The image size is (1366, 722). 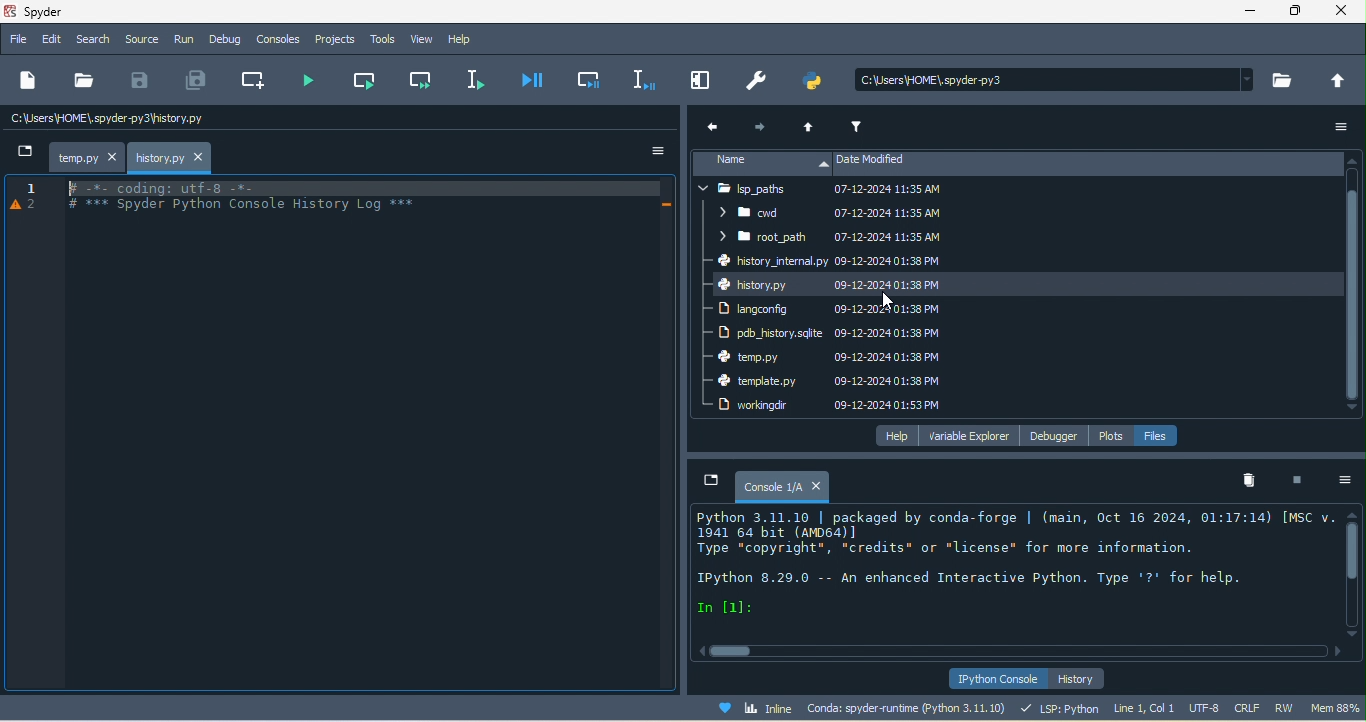 What do you see at coordinates (755, 127) in the screenshot?
I see `next` at bounding box center [755, 127].